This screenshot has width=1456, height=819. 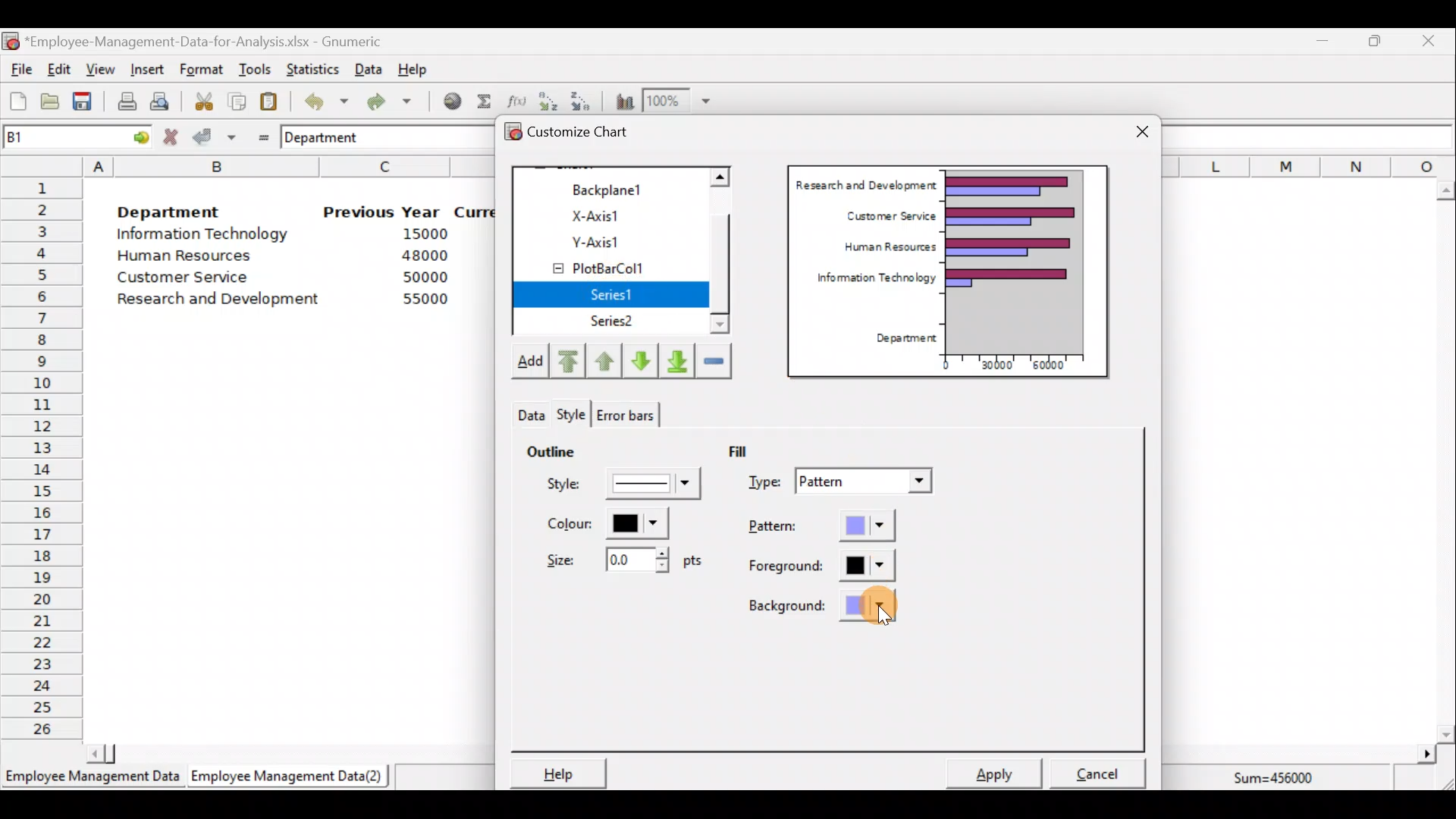 I want to click on Insert, so click(x=146, y=70).